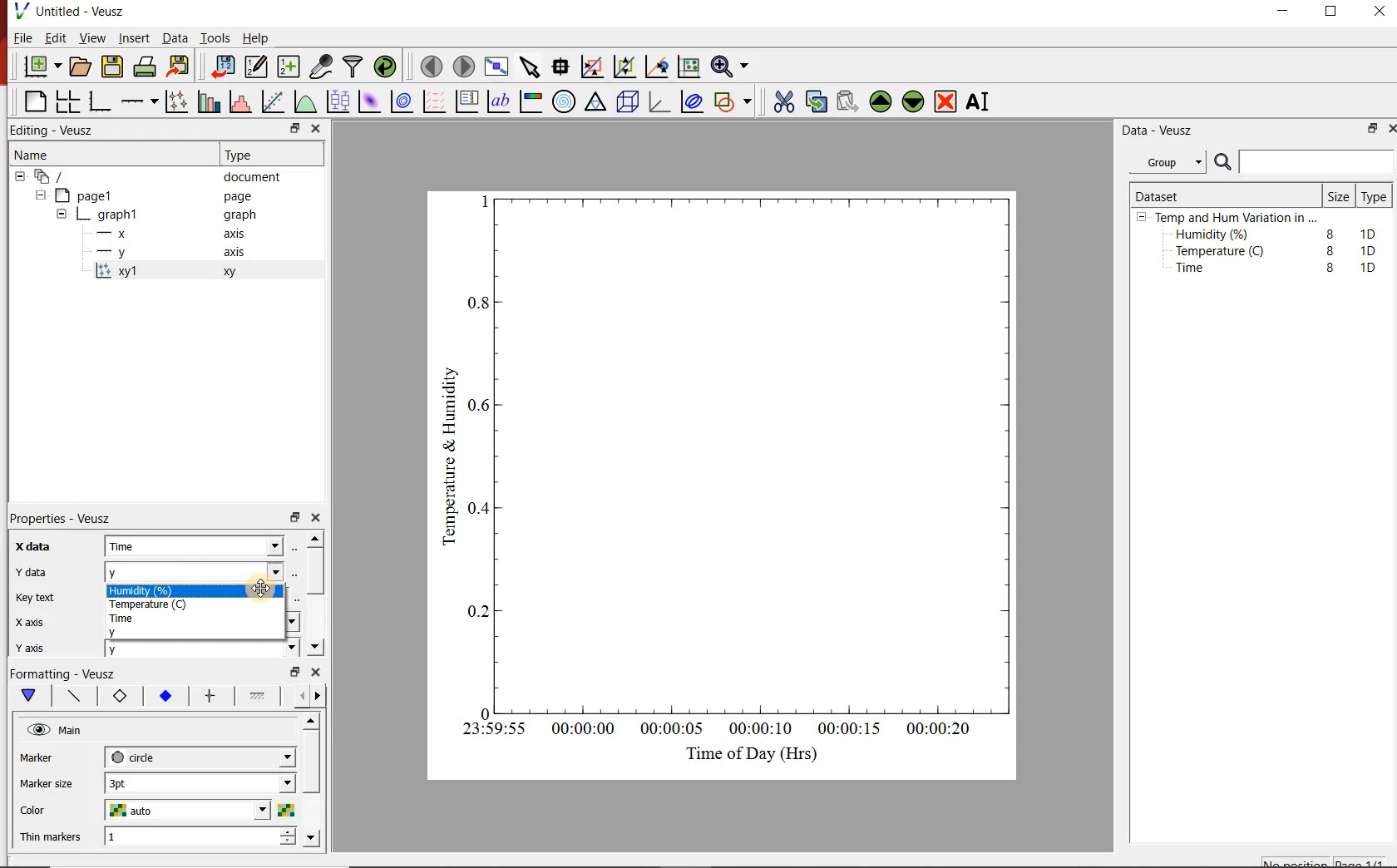  I want to click on y data dropdown, so click(249, 573).